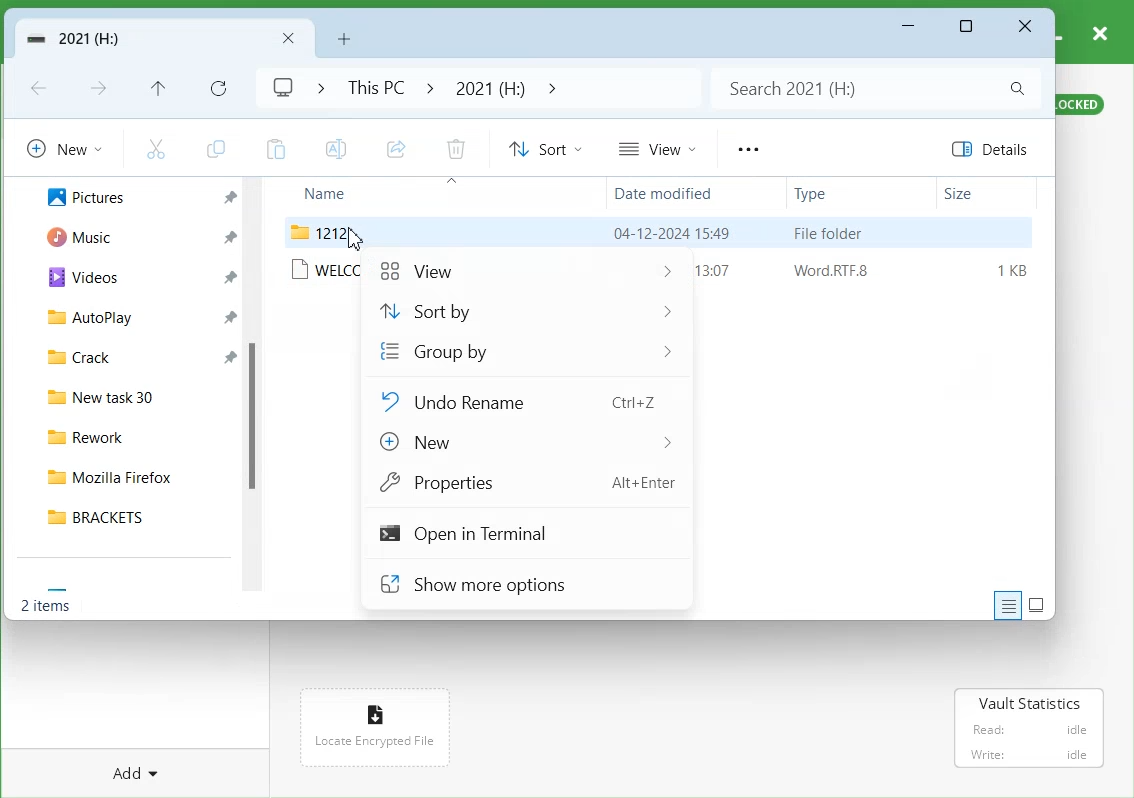  Describe the element at coordinates (873, 88) in the screenshot. I see `Search bar` at that location.